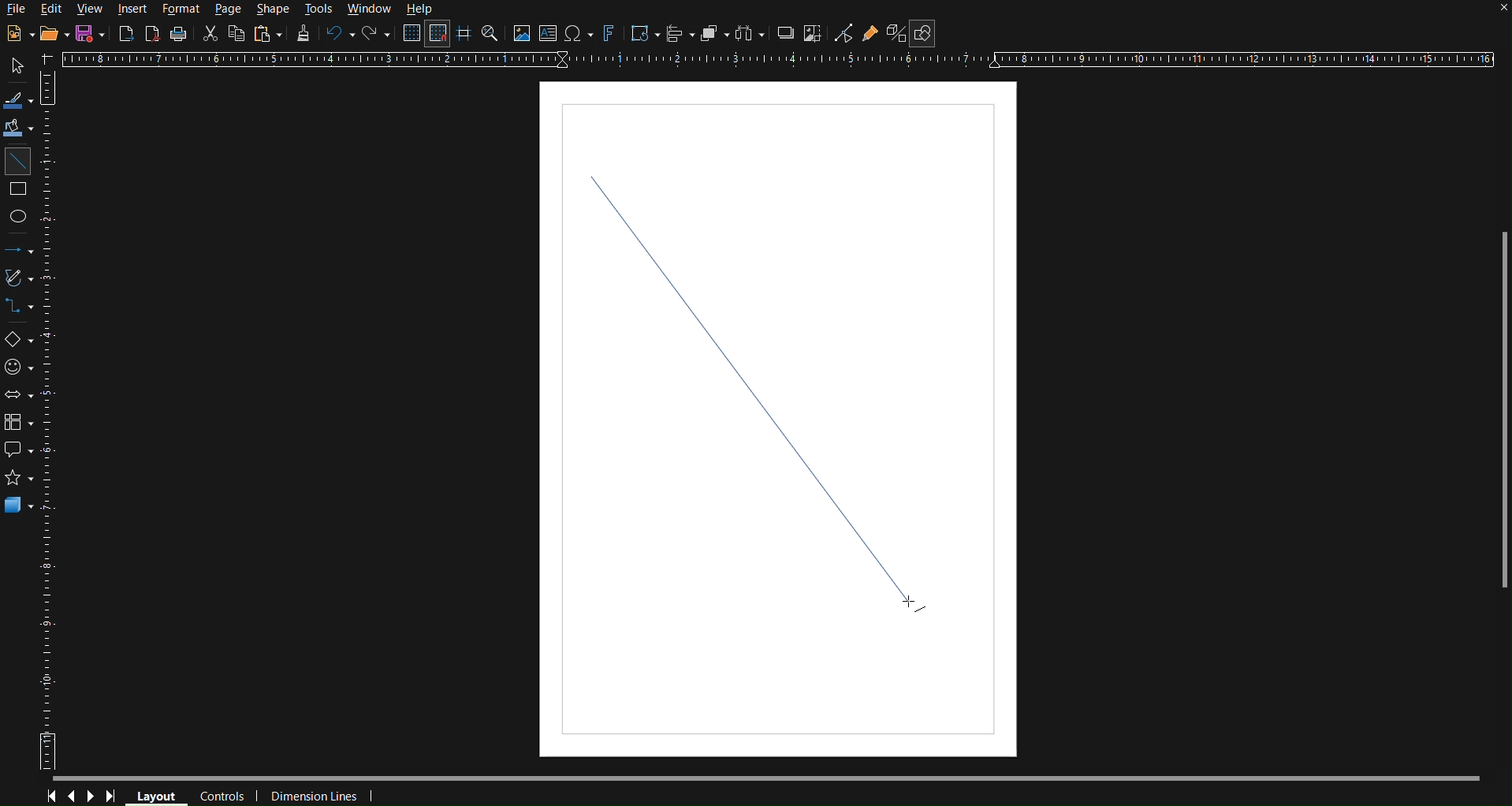 Image resolution: width=1512 pixels, height=806 pixels. What do you see at coordinates (91, 9) in the screenshot?
I see `View` at bounding box center [91, 9].